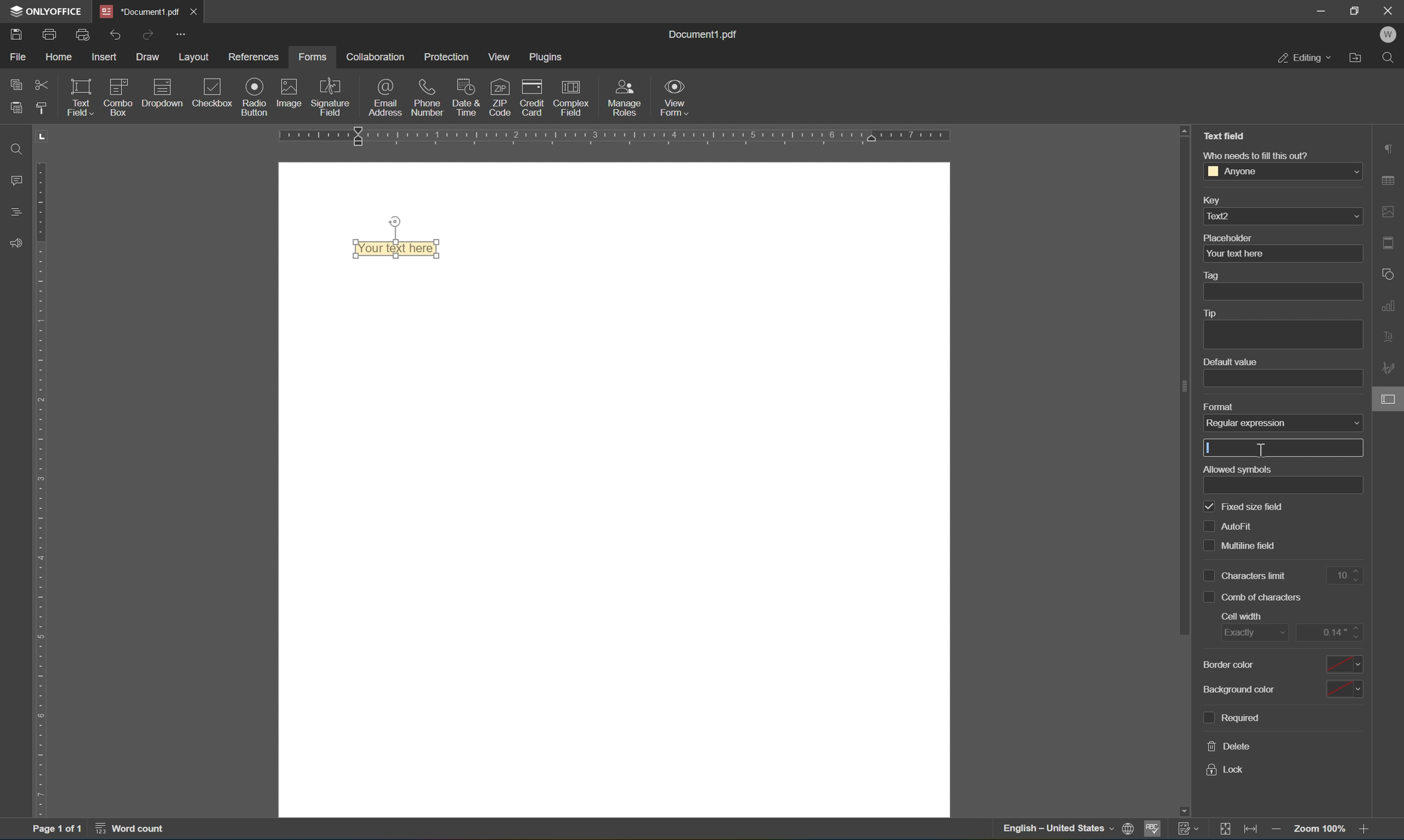 The image size is (1404, 840). What do you see at coordinates (1187, 830) in the screenshot?
I see `track changes` at bounding box center [1187, 830].